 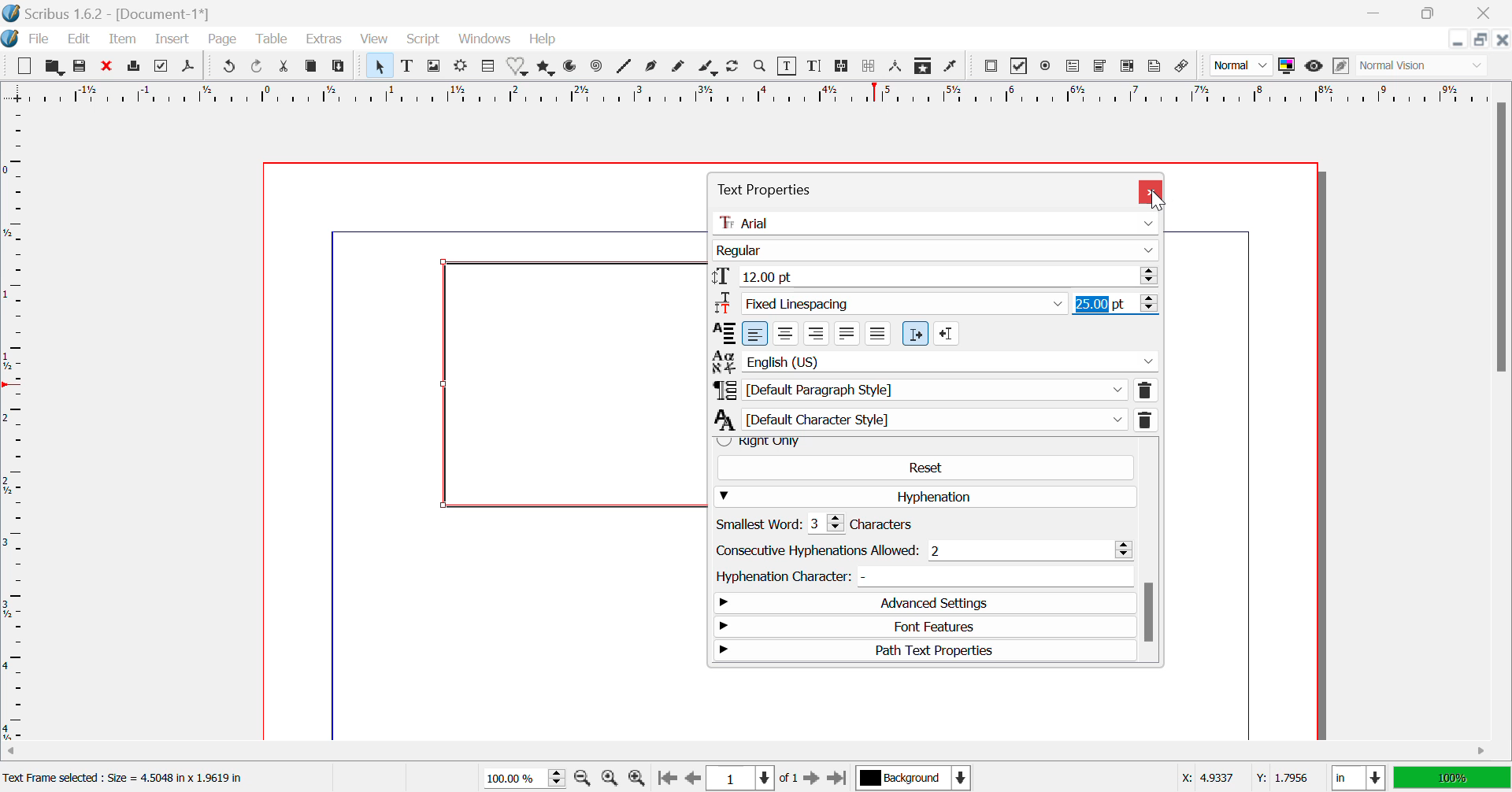 I want to click on View, so click(x=375, y=40).